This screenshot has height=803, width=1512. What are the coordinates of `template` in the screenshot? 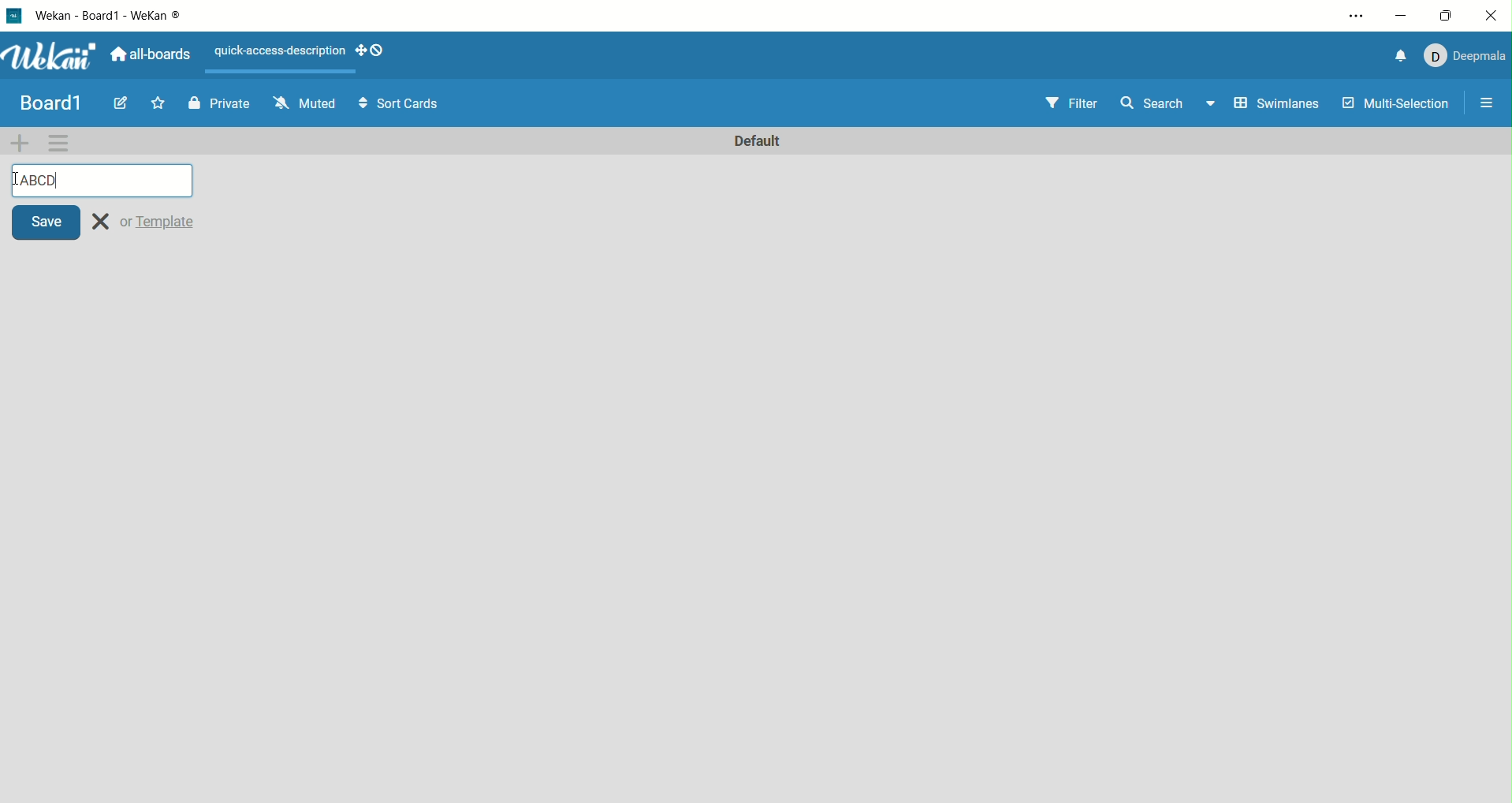 It's located at (160, 222).